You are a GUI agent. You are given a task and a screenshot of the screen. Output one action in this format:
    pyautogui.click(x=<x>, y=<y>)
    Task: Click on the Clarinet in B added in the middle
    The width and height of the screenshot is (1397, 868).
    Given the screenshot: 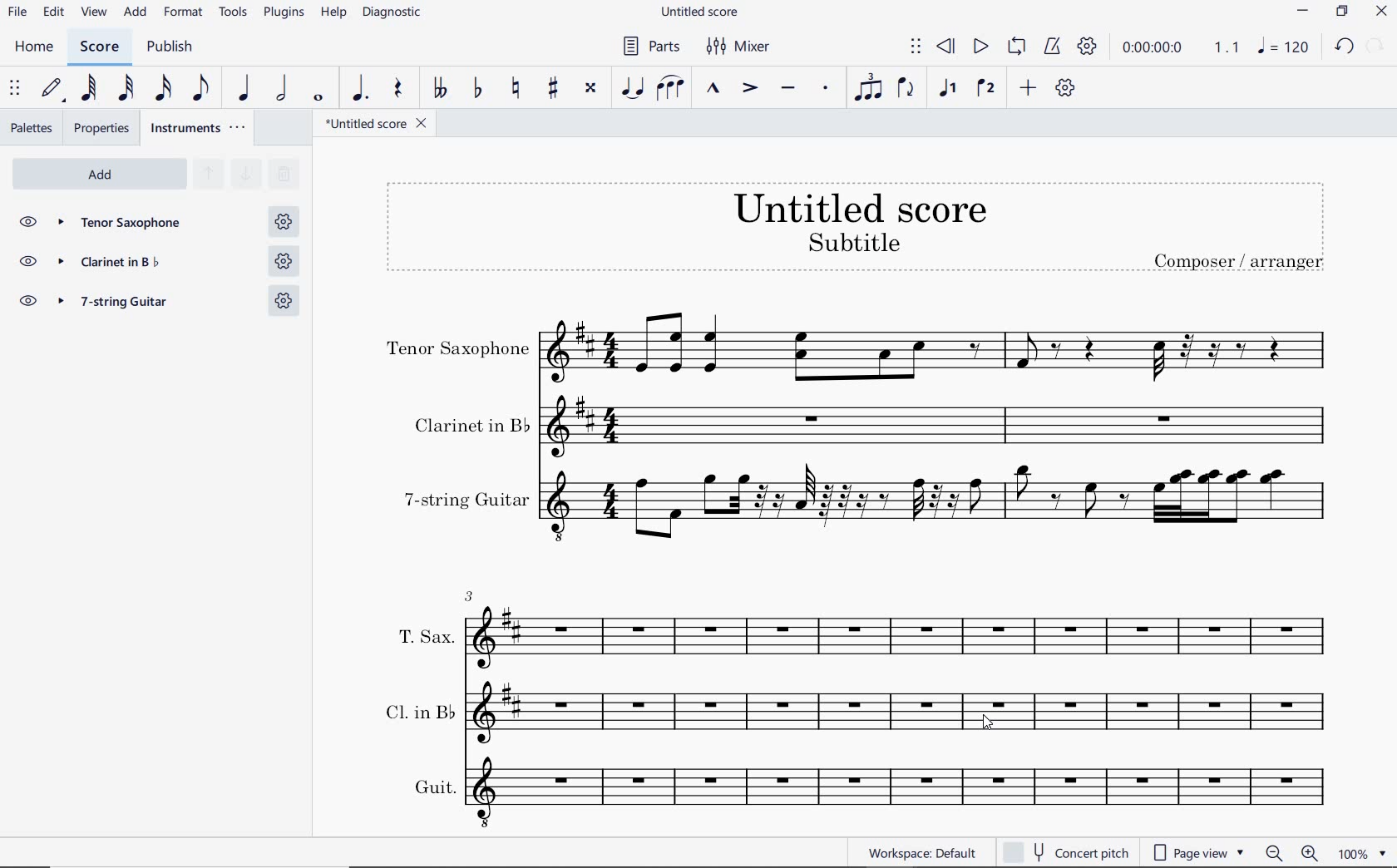 What is the action you would take?
    pyautogui.click(x=855, y=713)
    